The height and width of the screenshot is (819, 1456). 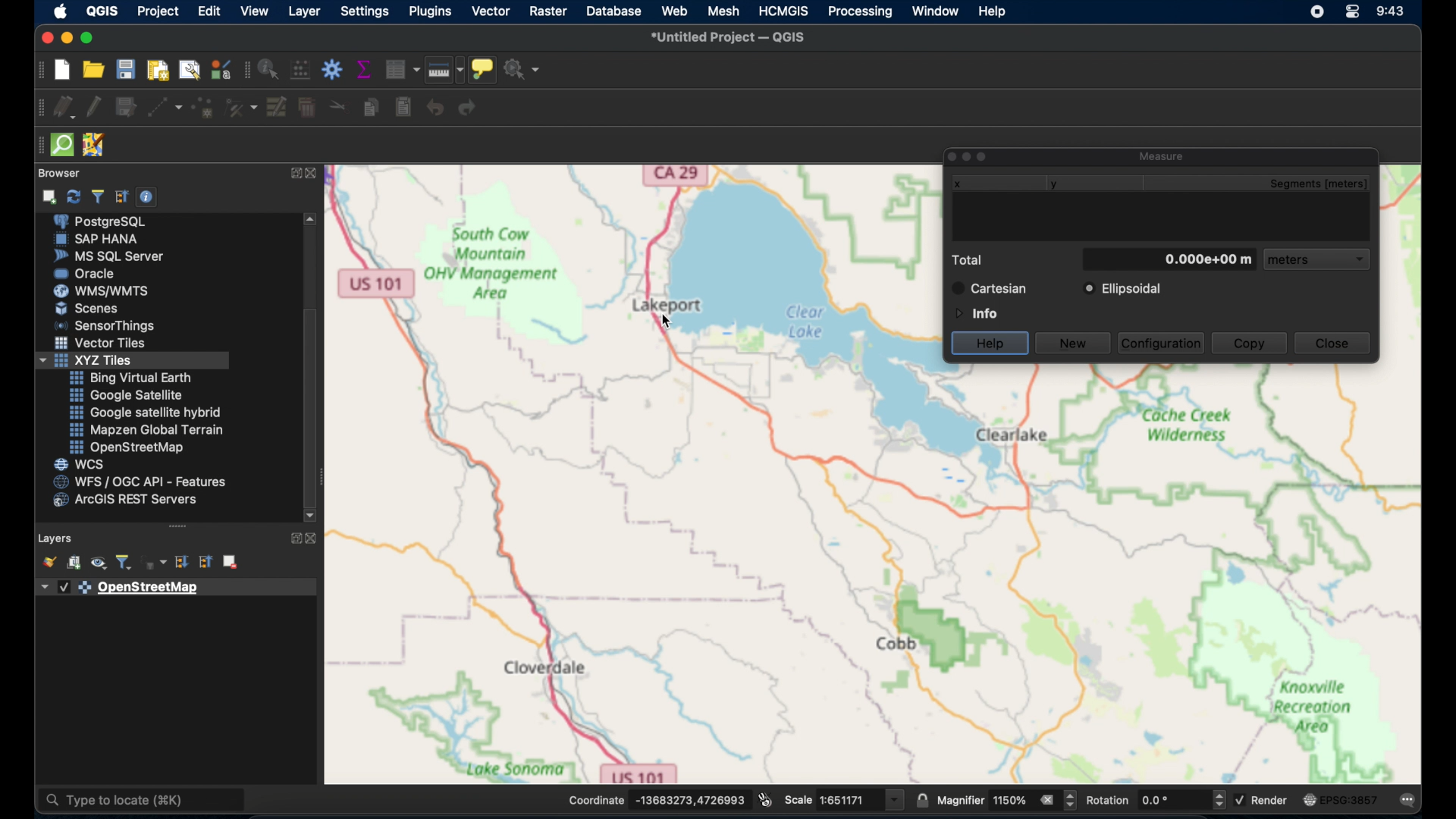 What do you see at coordinates (1332, 343) in the screenshot?
I see `close` at bounding box center [1332, 343].